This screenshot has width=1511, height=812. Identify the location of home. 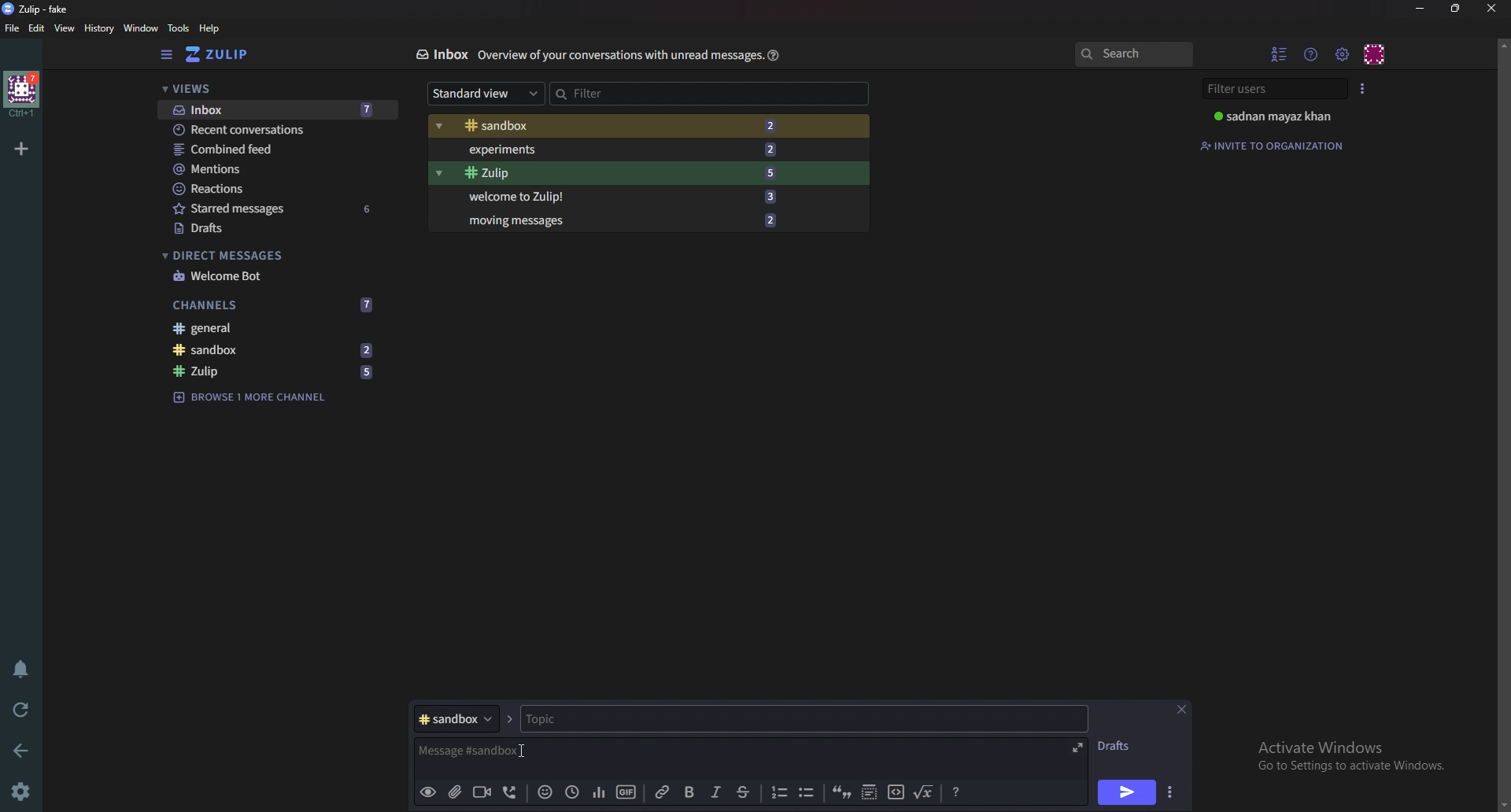
(20, 94).